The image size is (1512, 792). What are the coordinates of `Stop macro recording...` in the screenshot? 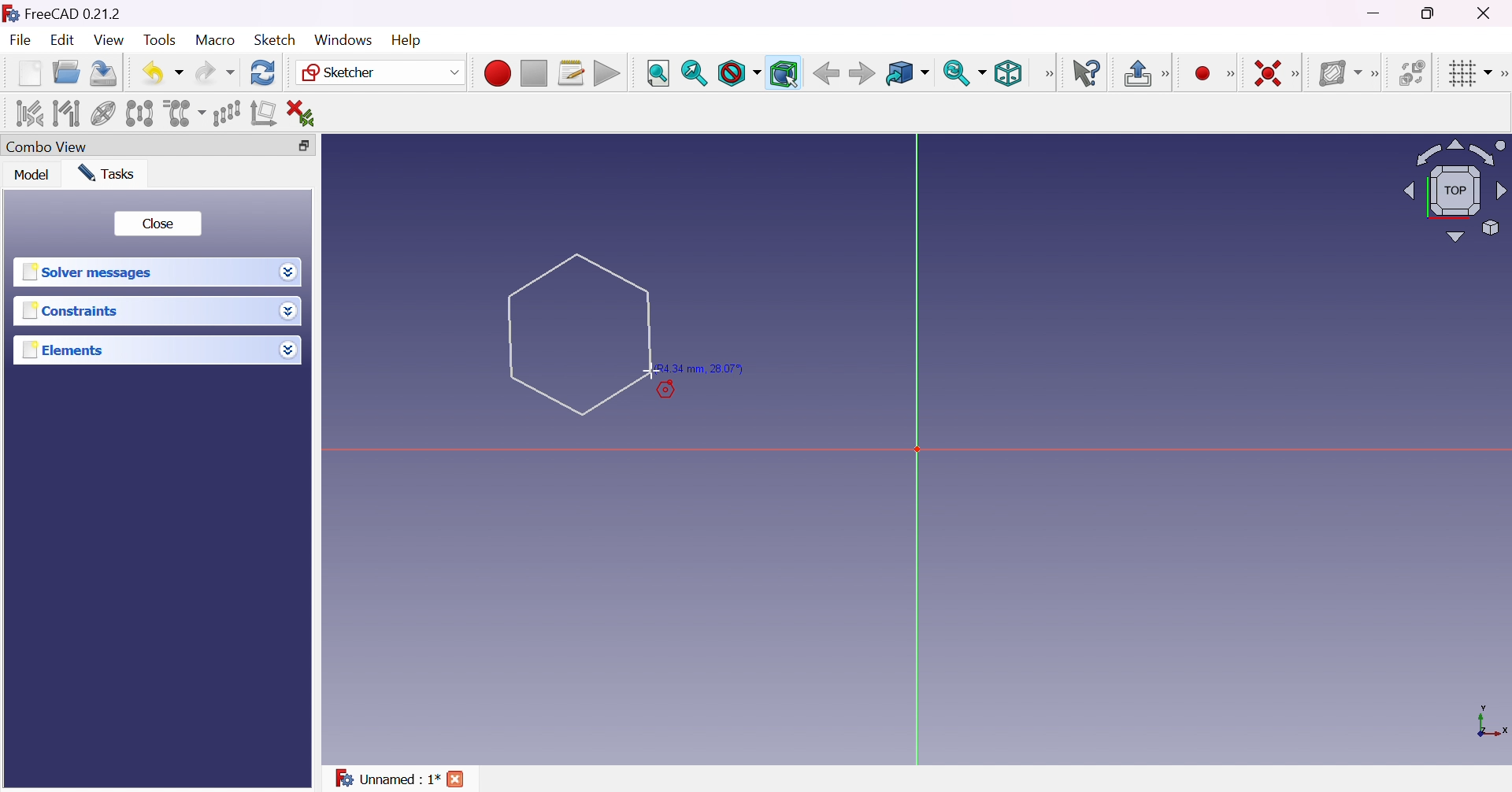 It's located at (535, 74).